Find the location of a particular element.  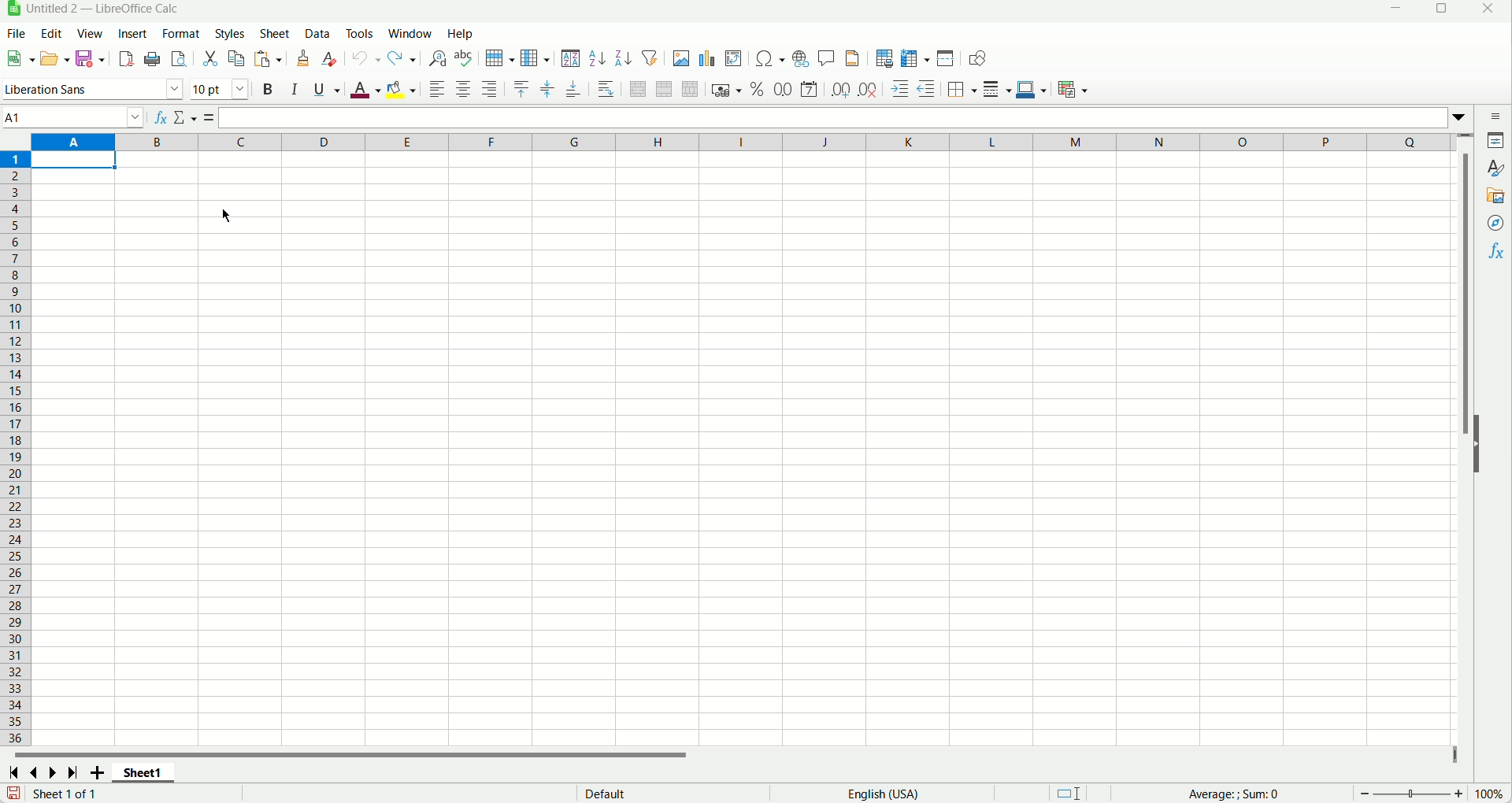

active cell is located at coordinates (77, 160).